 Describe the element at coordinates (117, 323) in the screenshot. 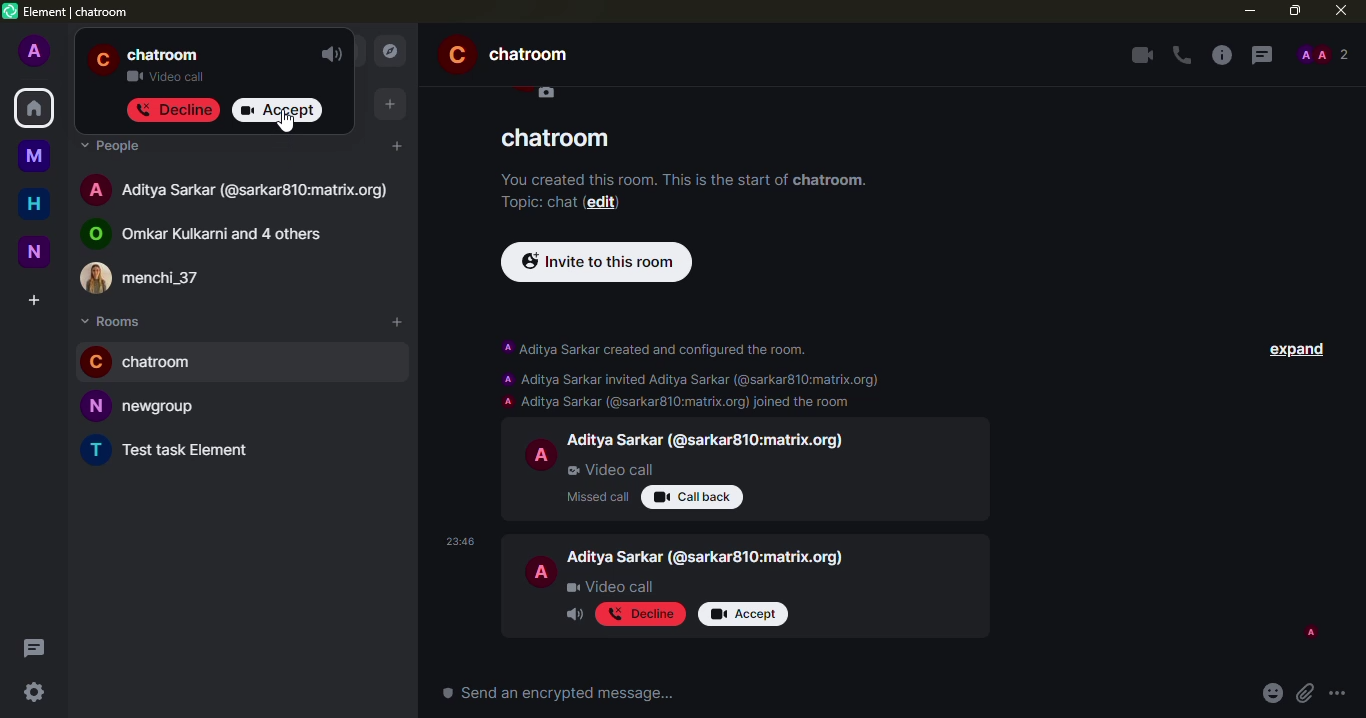

I see `rooms` at that location.